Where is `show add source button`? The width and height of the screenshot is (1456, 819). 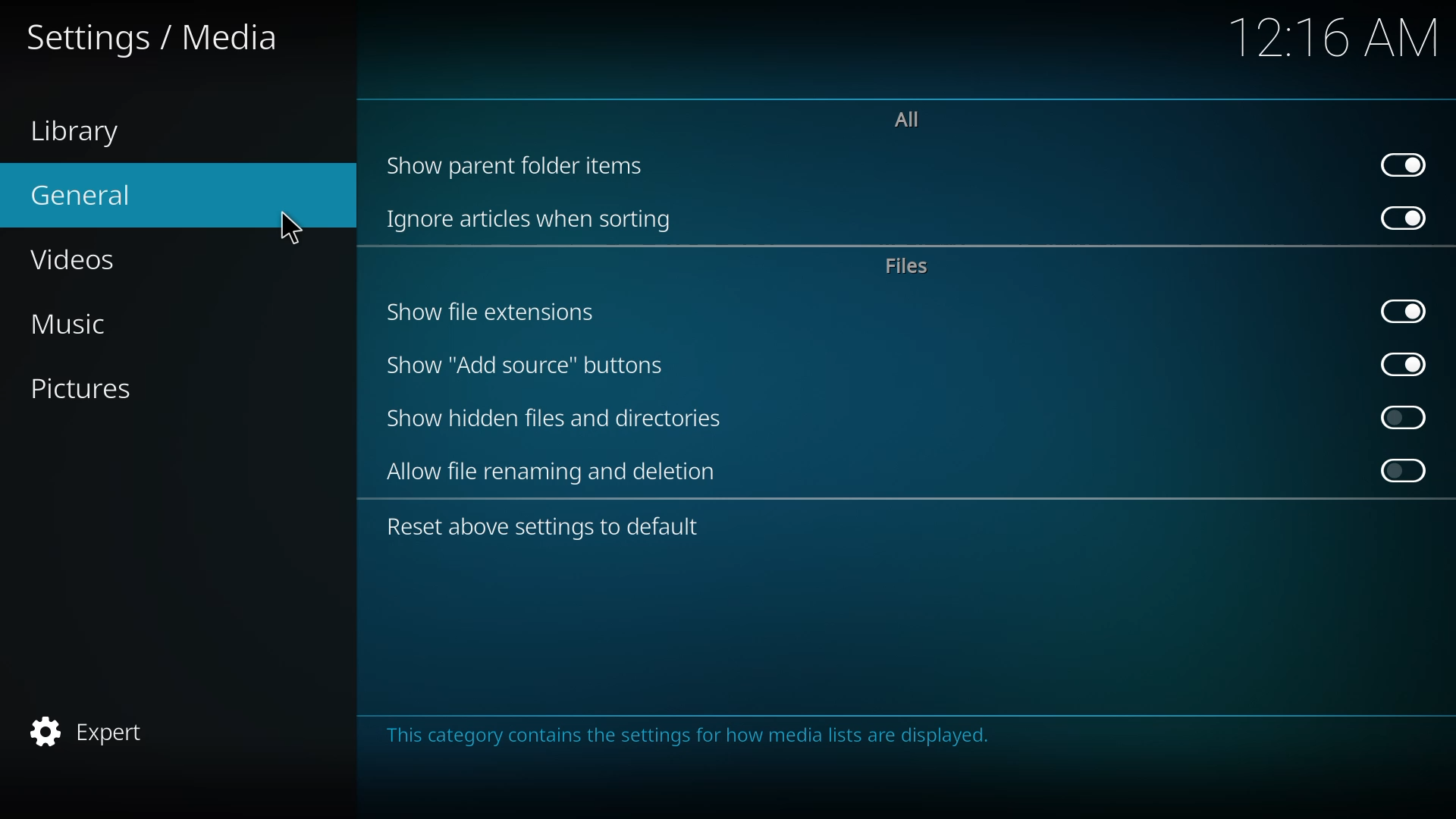
show add source button is located at coordinates (530, 365).